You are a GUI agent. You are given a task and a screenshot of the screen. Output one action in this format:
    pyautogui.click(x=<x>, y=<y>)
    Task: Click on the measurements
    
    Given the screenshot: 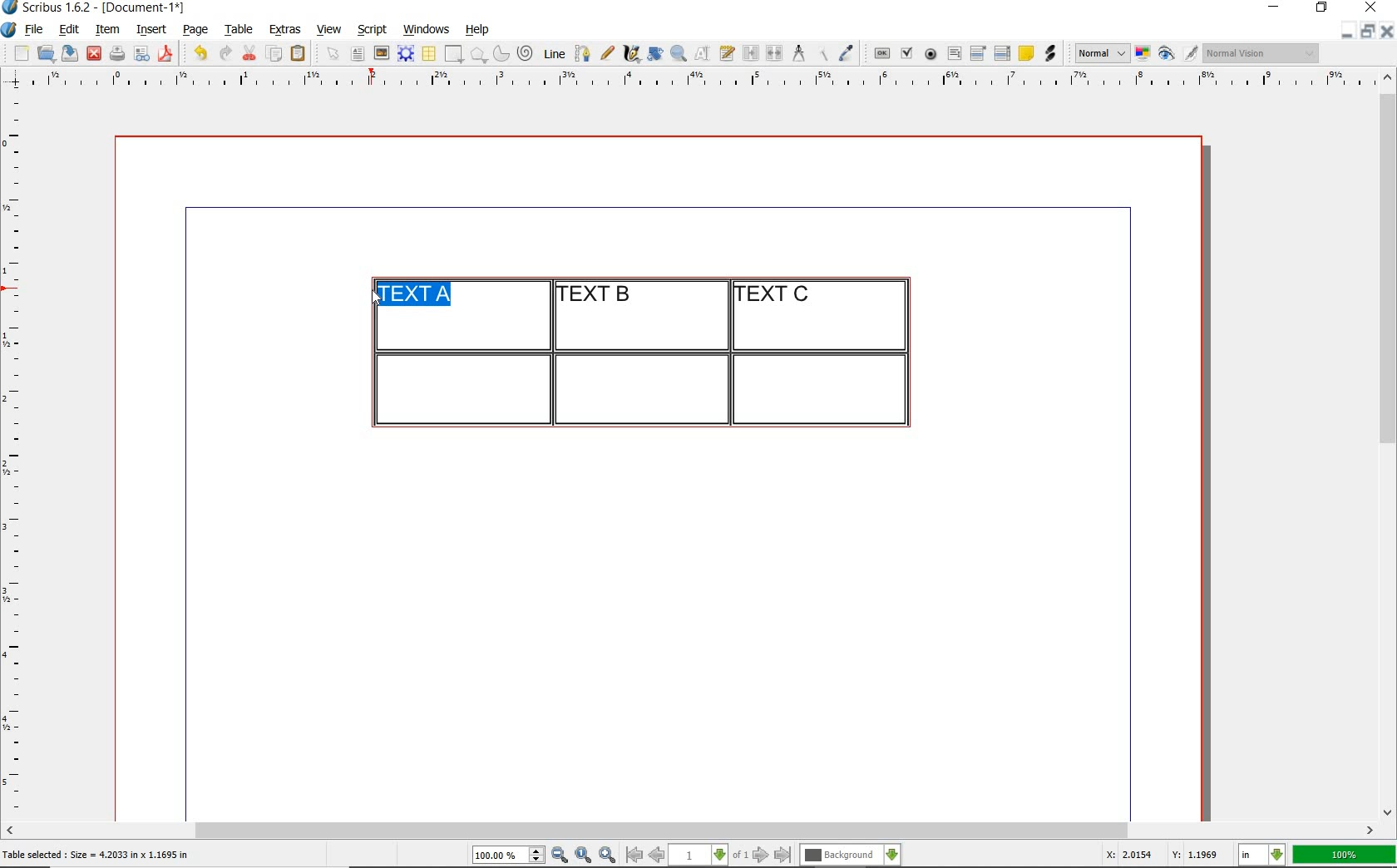 What is the action you would take?
    pyautogui.click(x=798, y=54)
    